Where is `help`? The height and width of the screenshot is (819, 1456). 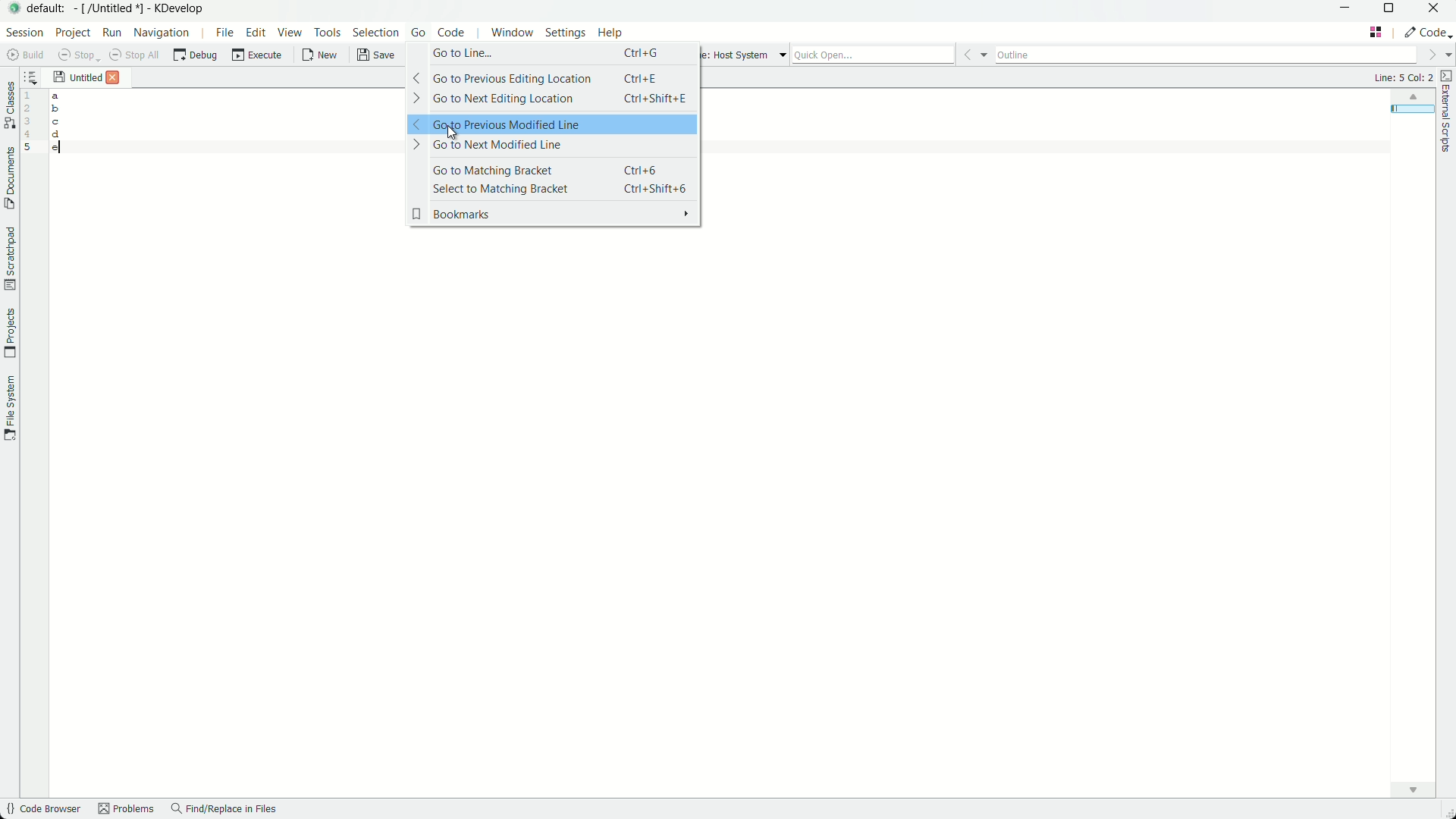 help is located at coordinates (612, 34).